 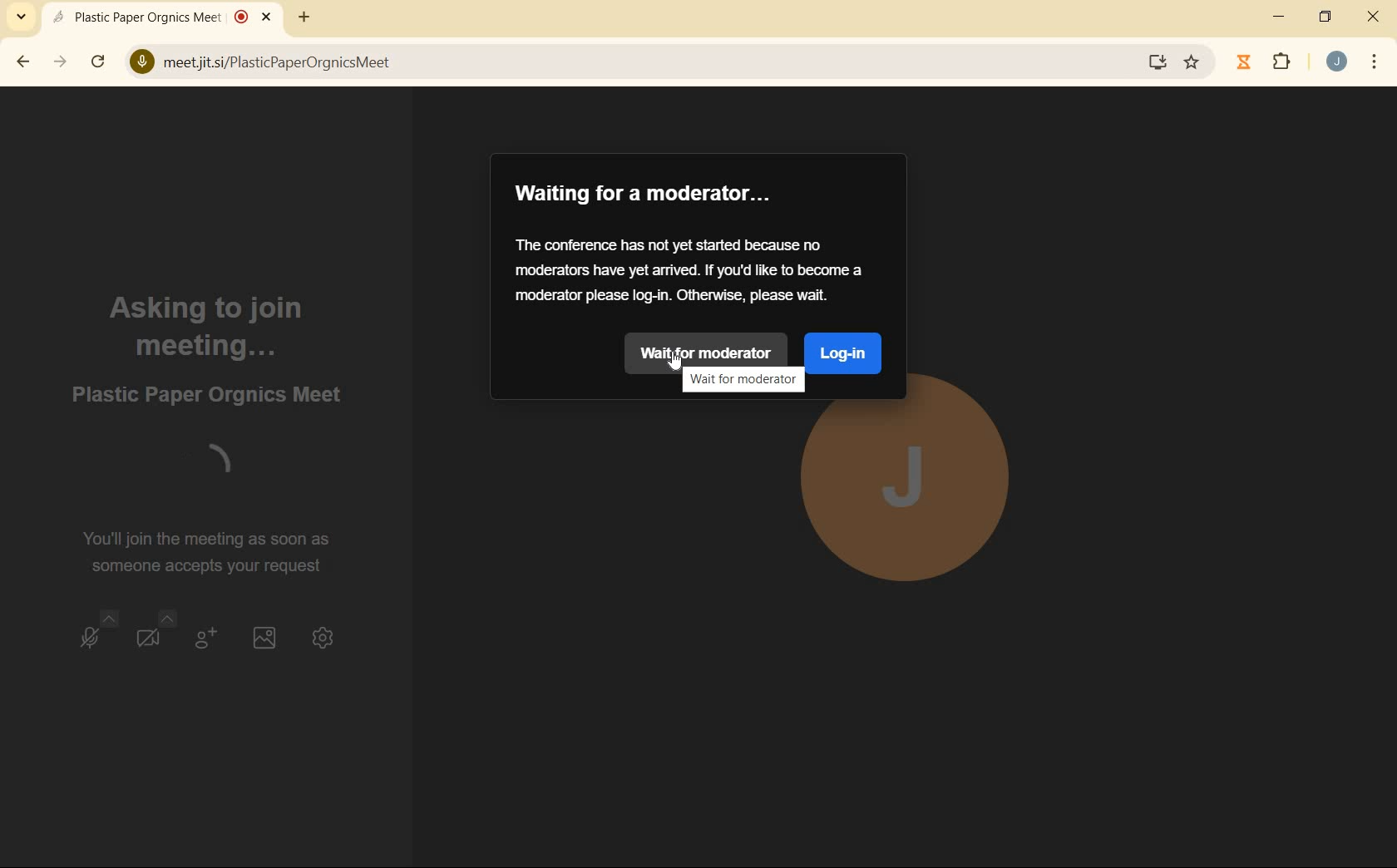 What do you see at coordinates (1374, 19) in the screenshot?
I see `close` at bounding box center [1374, 19].